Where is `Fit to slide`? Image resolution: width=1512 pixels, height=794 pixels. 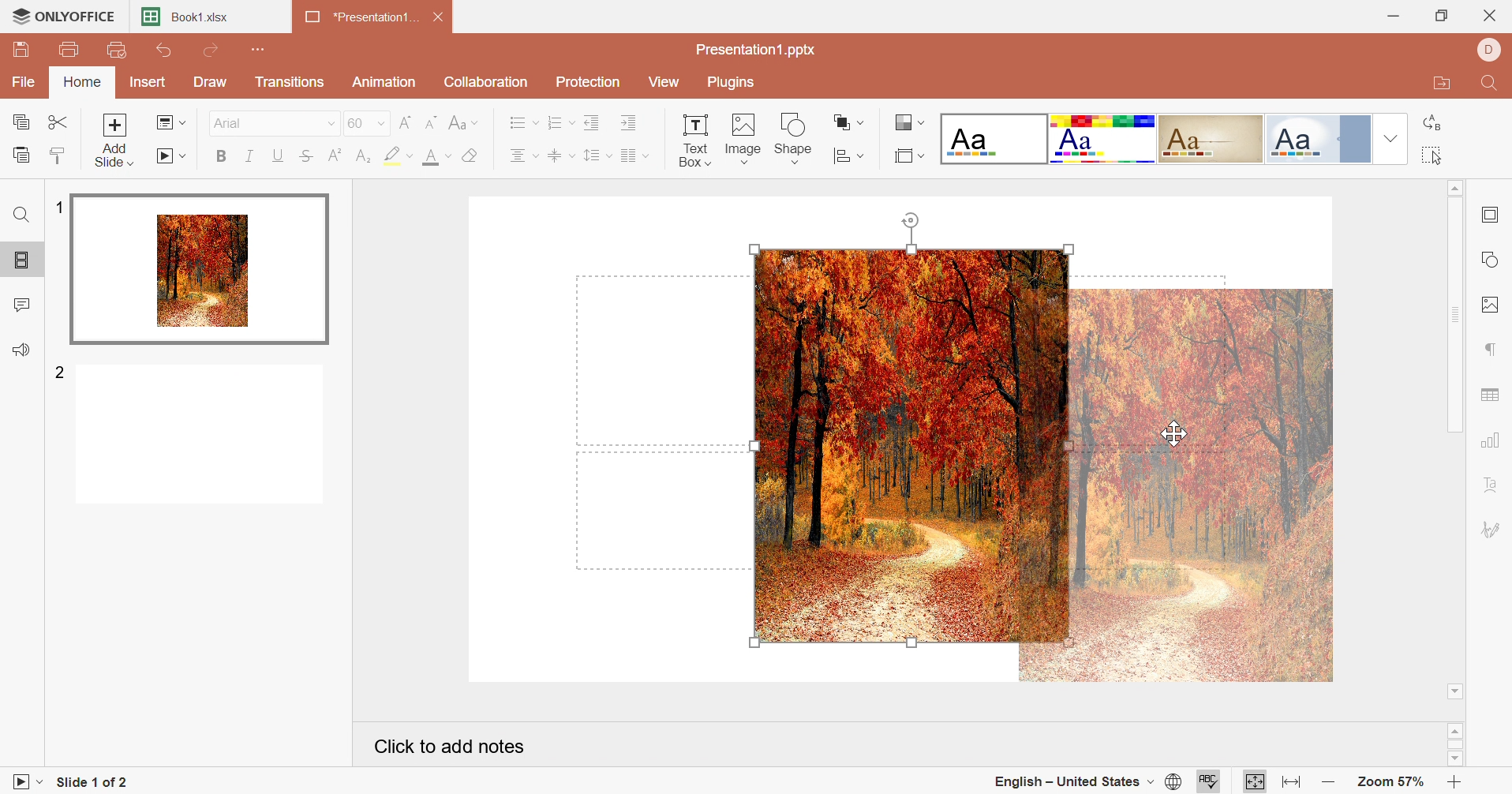
Fit to slide is located at coordinates (1255, 781).